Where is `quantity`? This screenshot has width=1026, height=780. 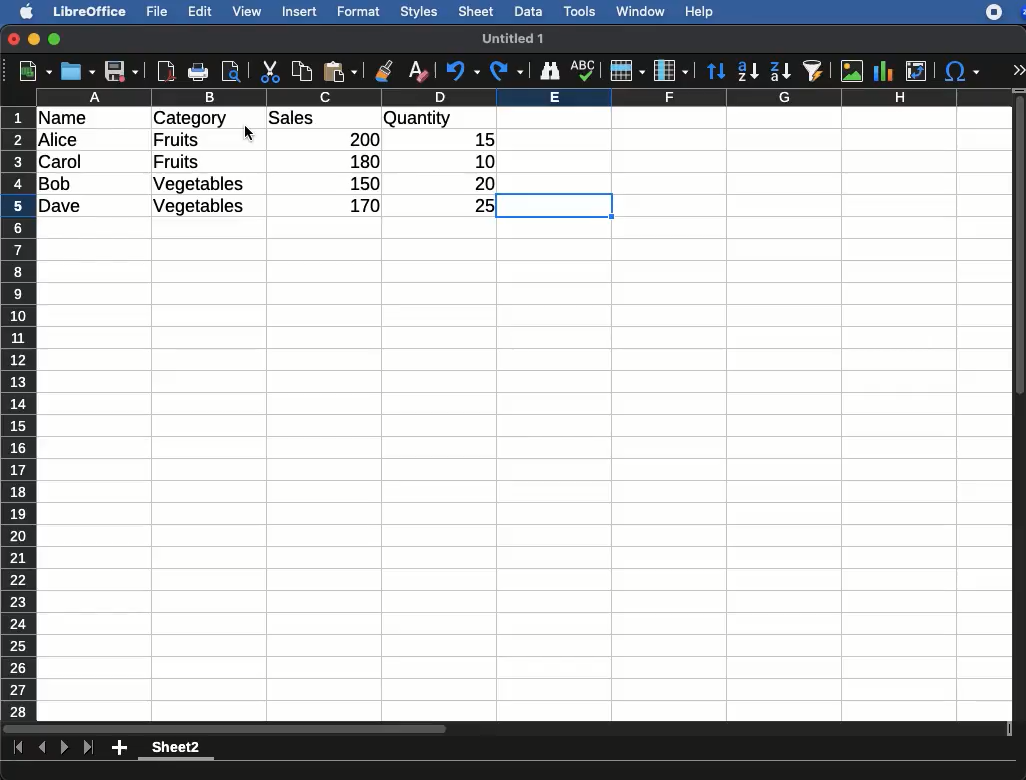
quantity is located at coordinates (439, 120).